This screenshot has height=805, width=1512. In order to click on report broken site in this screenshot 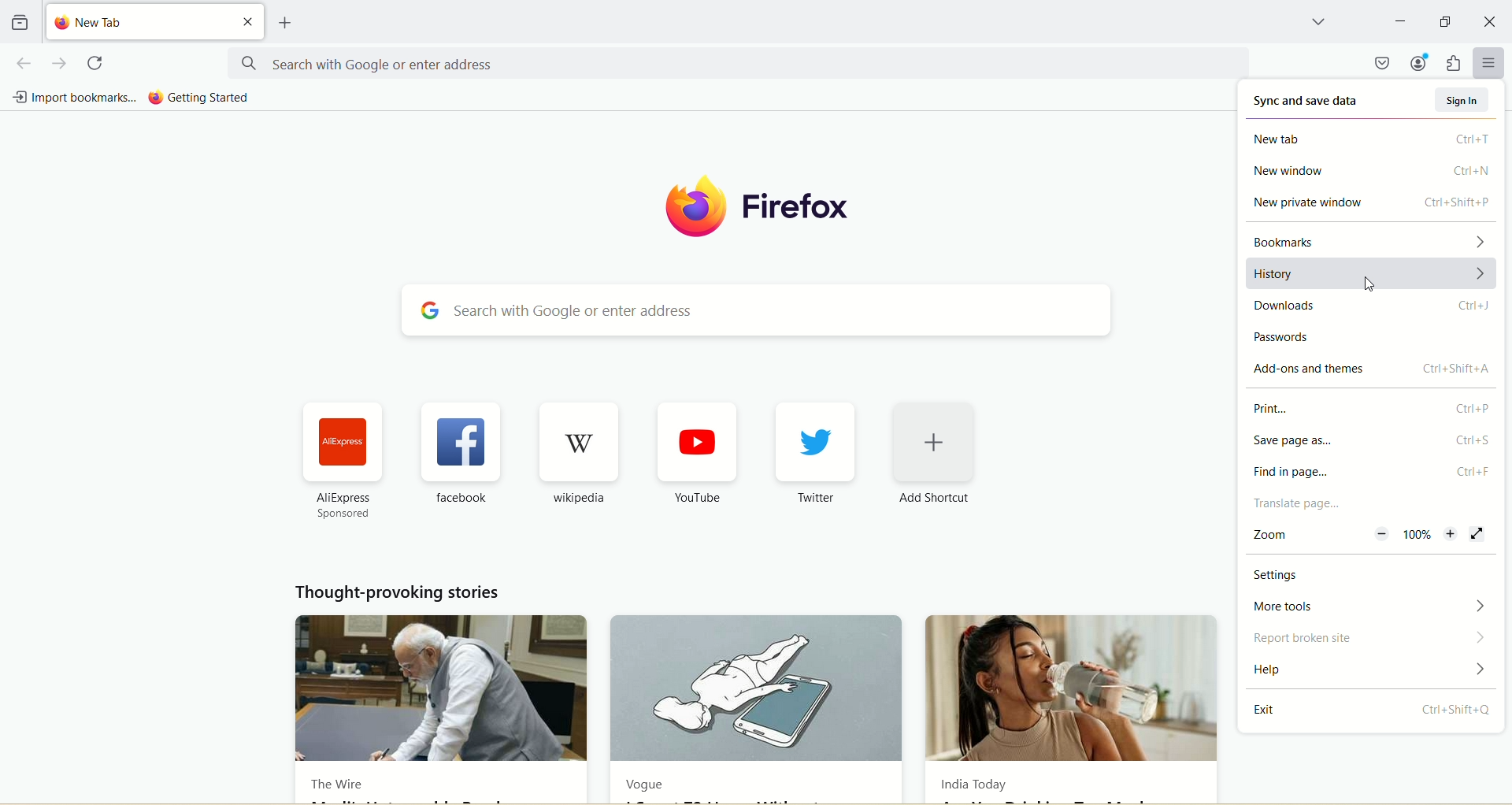, I will do `click(1372, 638)`.